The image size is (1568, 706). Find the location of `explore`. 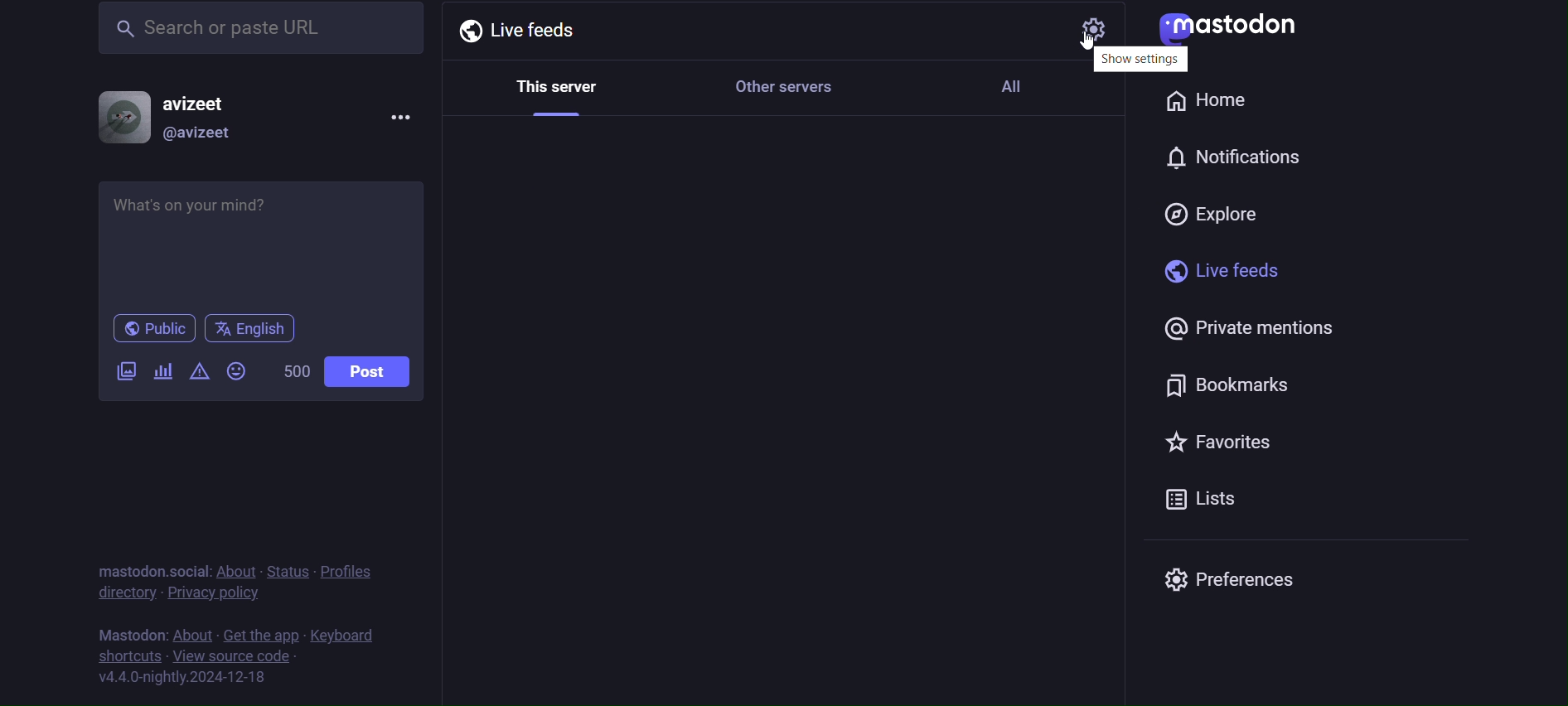

explore is located at coordinates (1217, 212).